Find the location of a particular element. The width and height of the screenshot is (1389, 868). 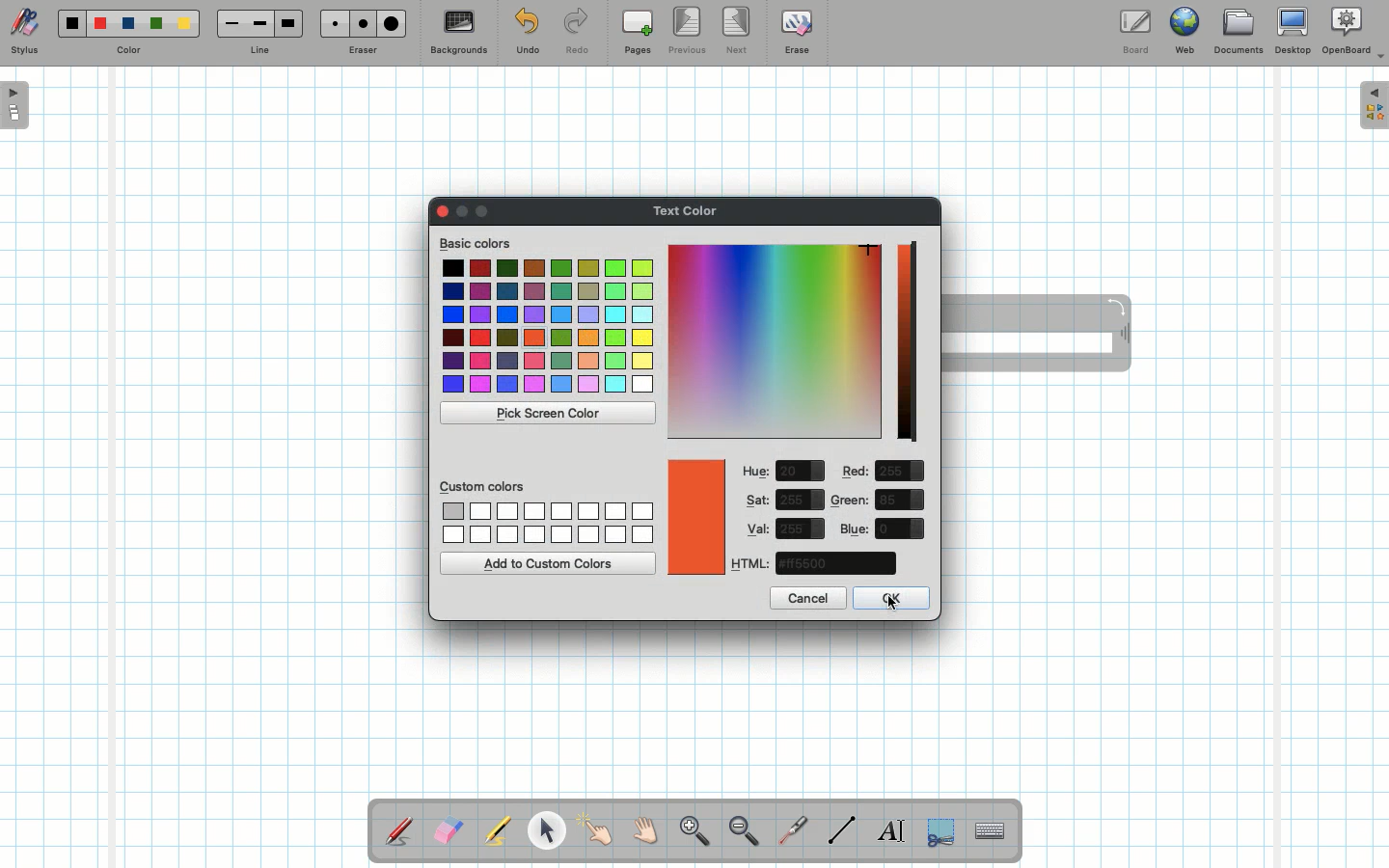

Basic colors is located at coordinates (477, 242).